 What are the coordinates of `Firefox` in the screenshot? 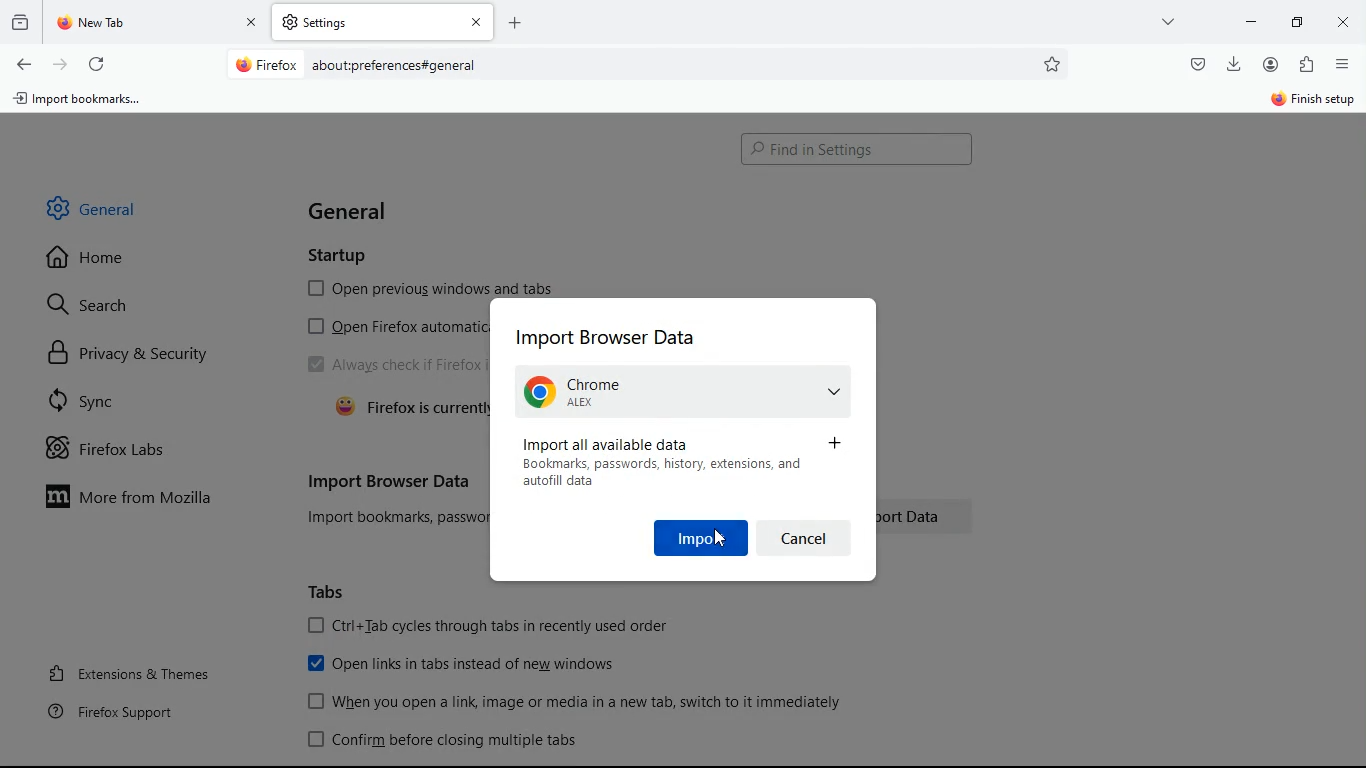 It's located at (266, 64).